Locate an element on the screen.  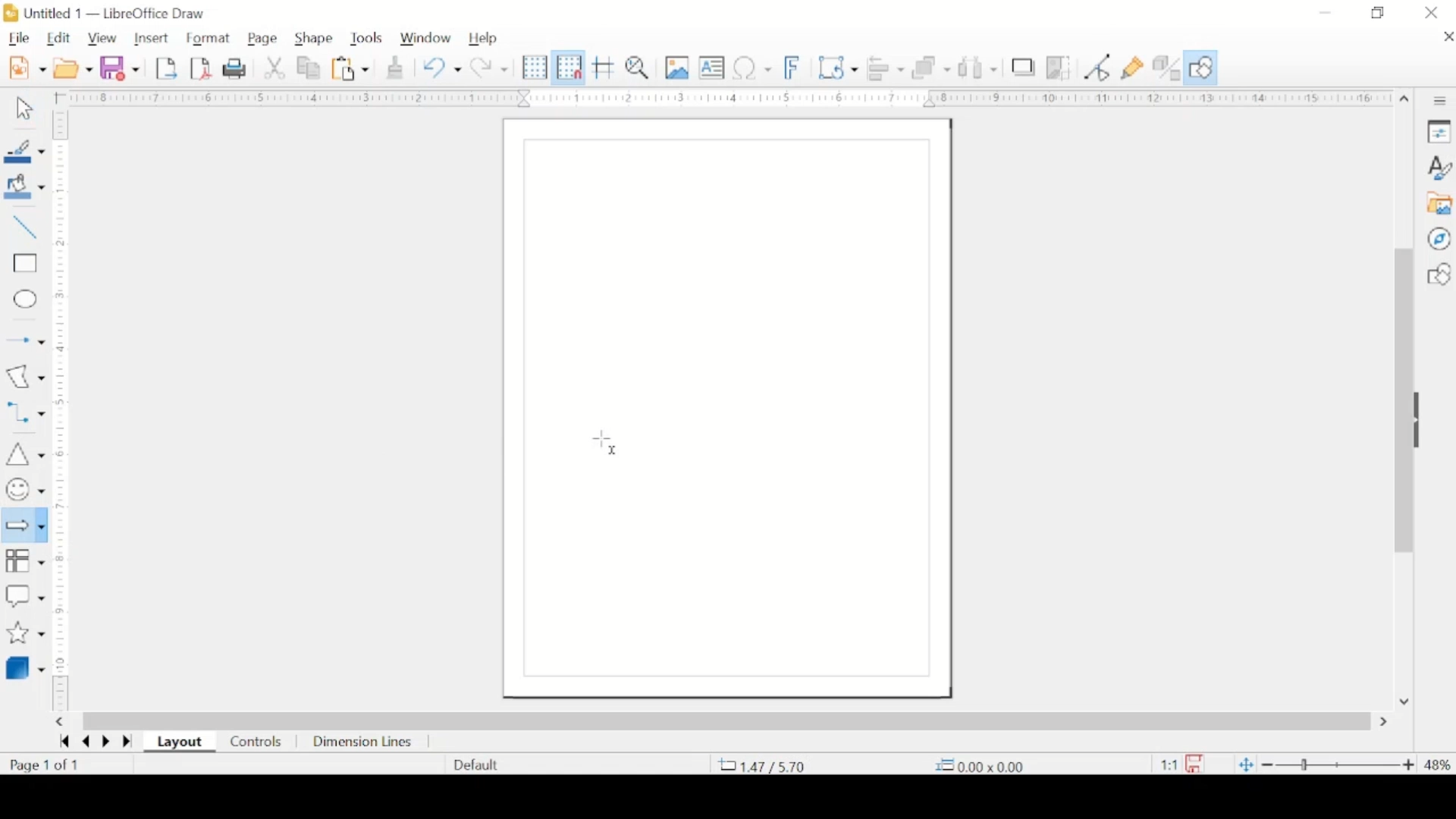
select at least three objects to distribute is located at coordinates (979, 67).